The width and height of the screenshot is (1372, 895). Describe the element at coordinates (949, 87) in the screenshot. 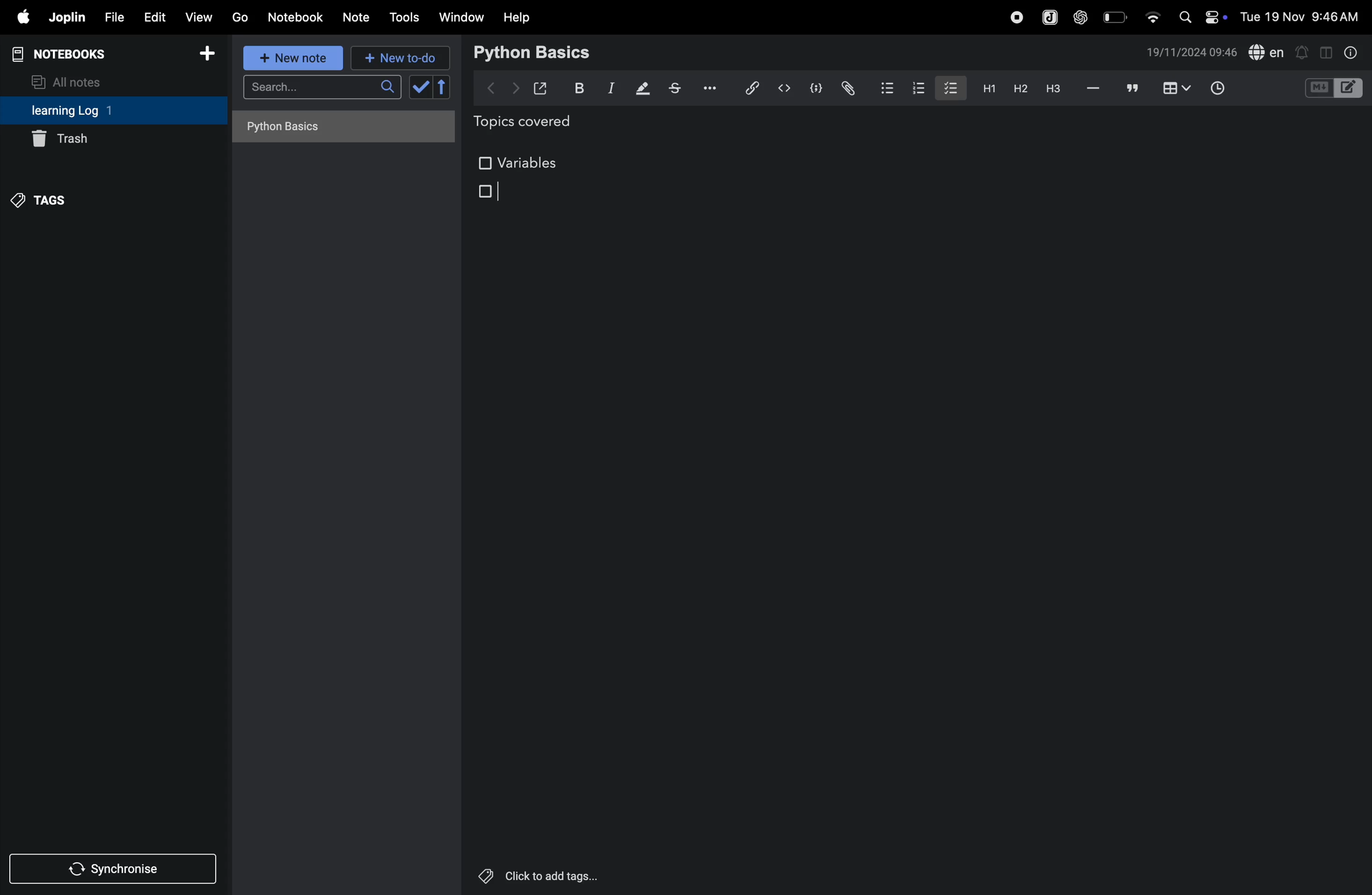

I see `checkbox` at that location.